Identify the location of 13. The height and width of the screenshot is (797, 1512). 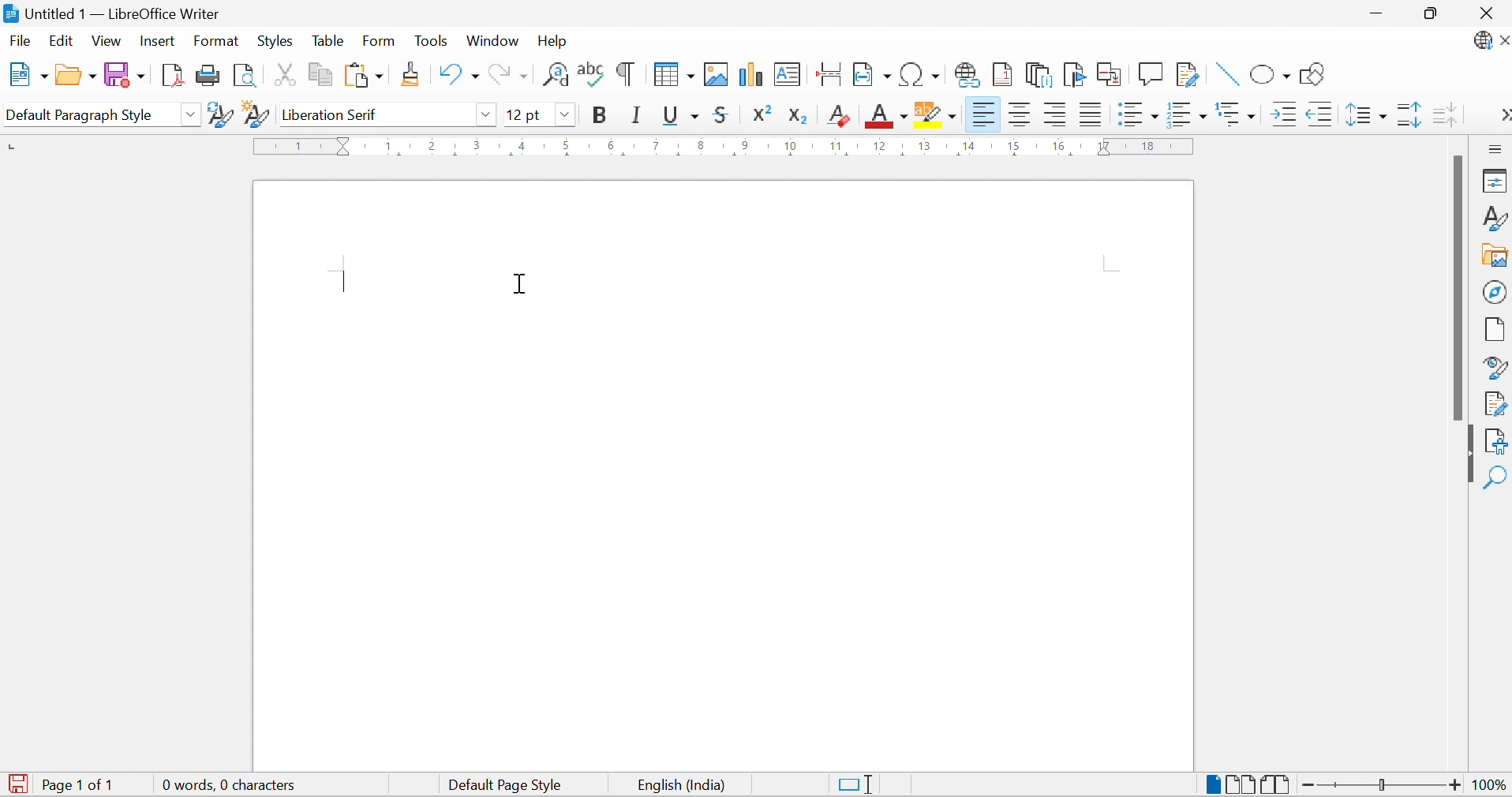
(924, 146).